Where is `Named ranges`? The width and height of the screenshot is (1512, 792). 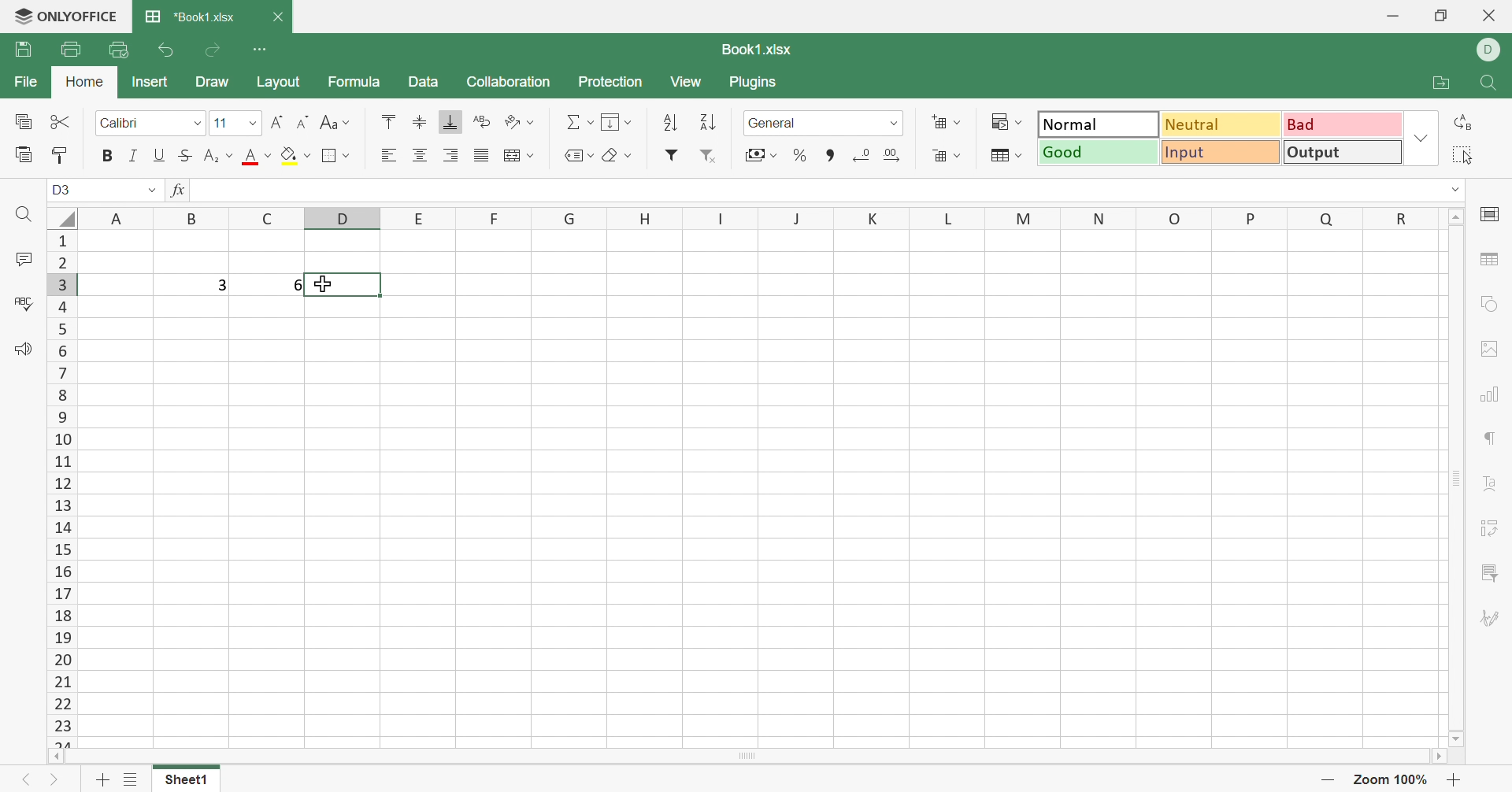 Named ranges is located at coordinates (577, 154).